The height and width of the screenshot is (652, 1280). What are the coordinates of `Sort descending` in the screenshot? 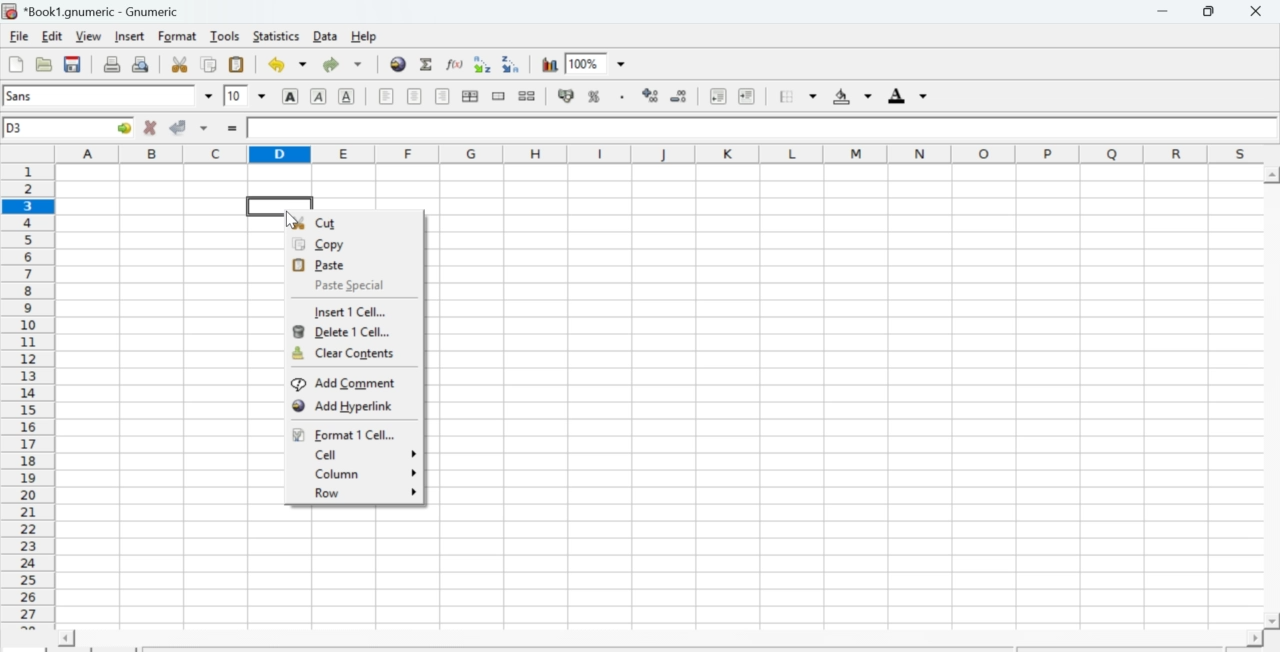 It's located at (512, 66).